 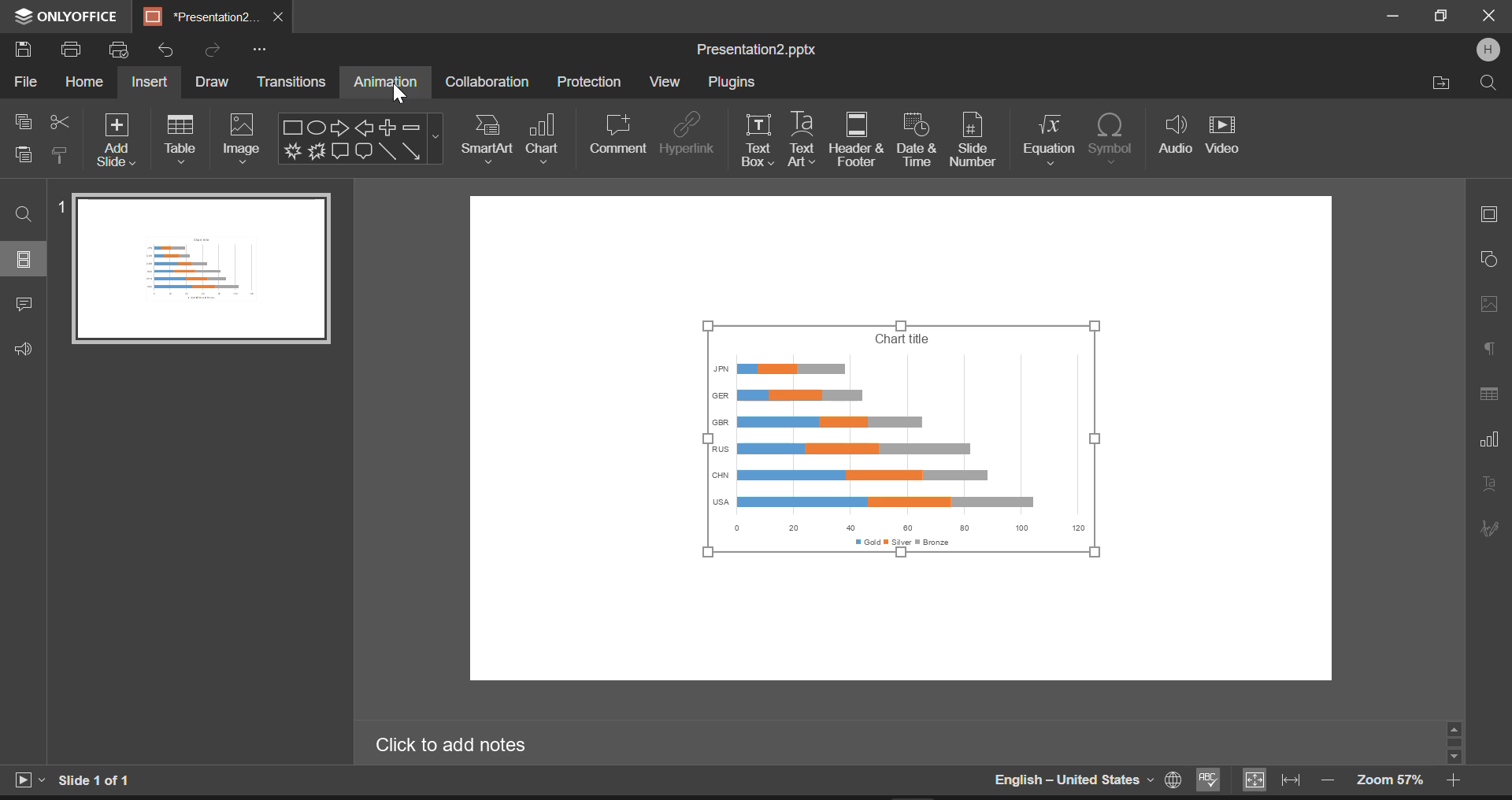 What do you see at coordinates (461, 745) in the screenshot?
I see `Click to add notes` at bounding box center [461, 745].